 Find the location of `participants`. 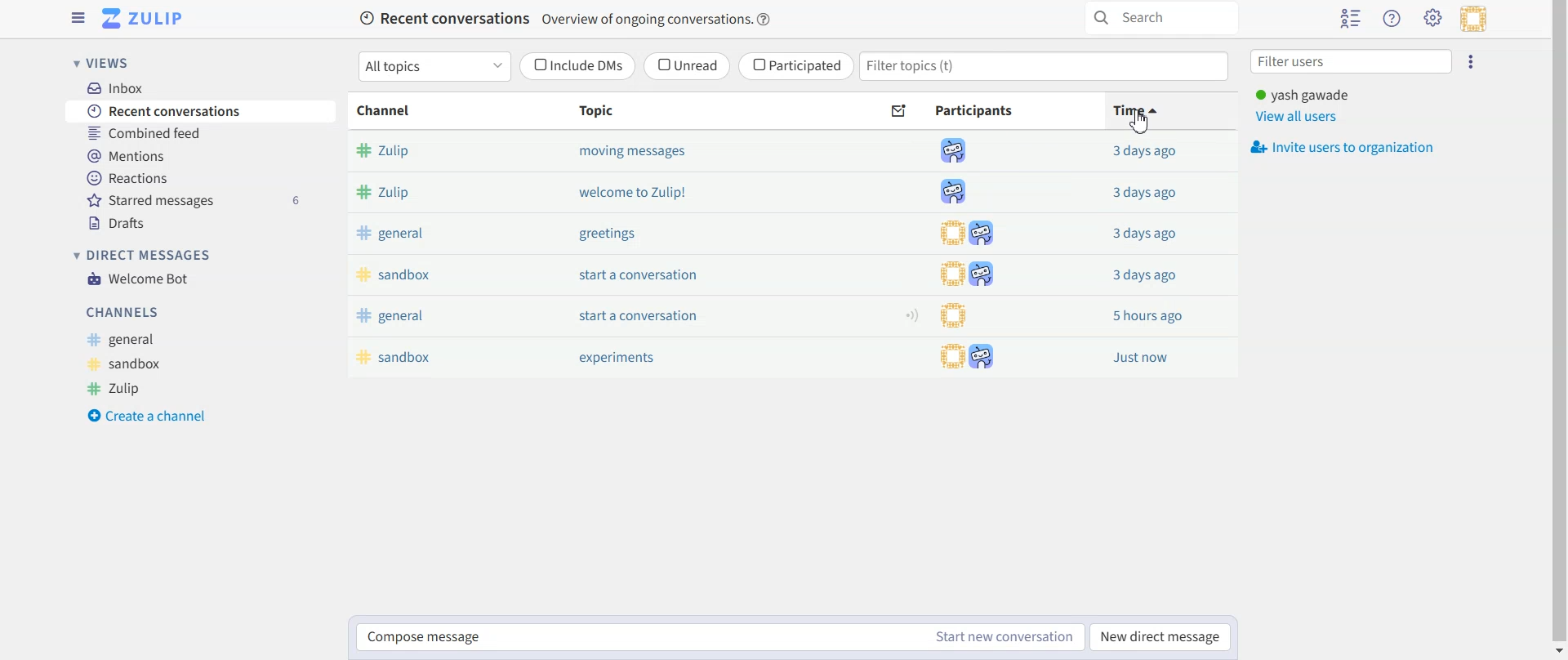

participants is located at coordinates (973, 234).